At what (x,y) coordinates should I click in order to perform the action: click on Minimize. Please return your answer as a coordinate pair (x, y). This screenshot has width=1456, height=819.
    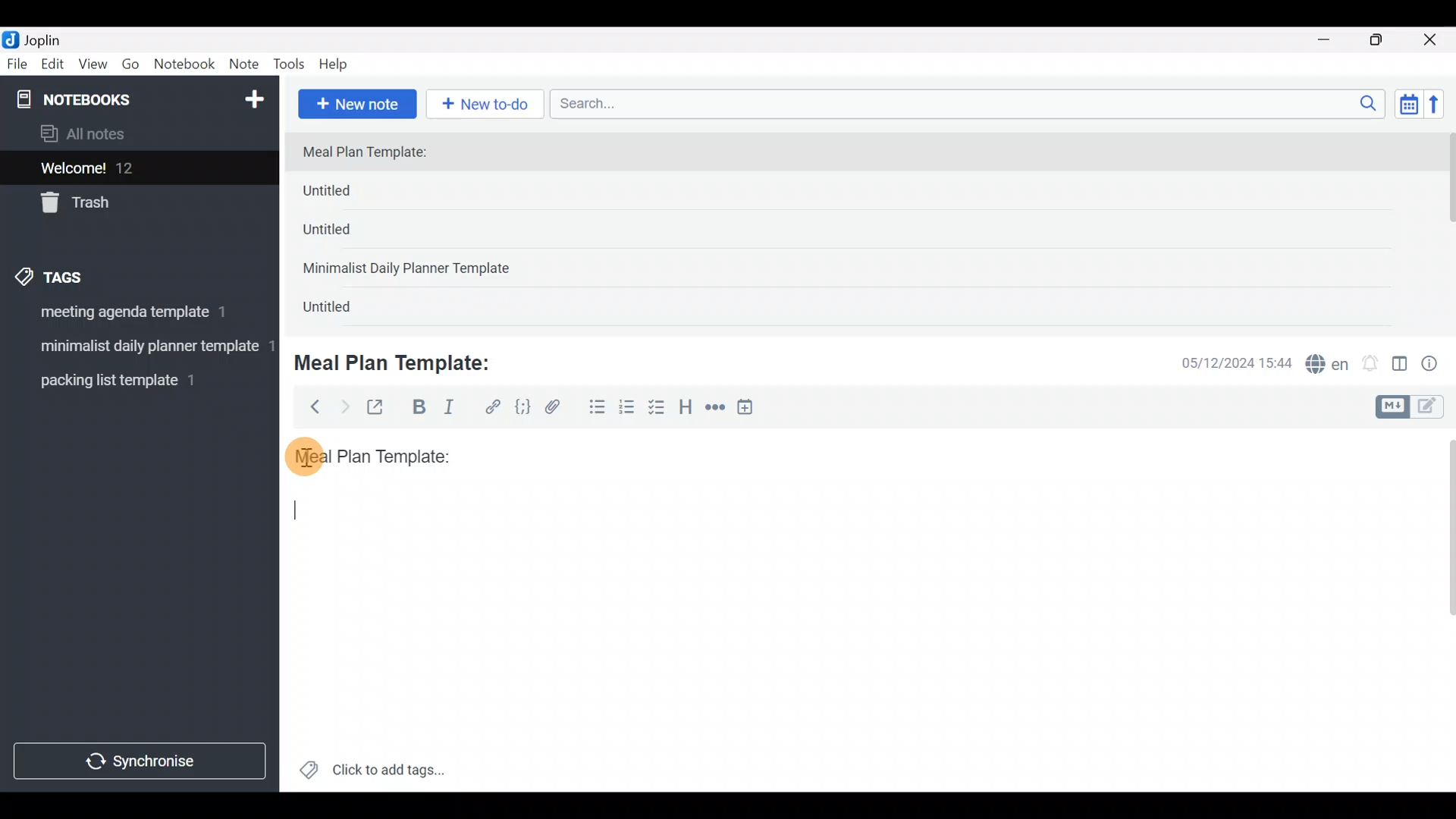
    Looking at the image, I should click on (1332, 38).